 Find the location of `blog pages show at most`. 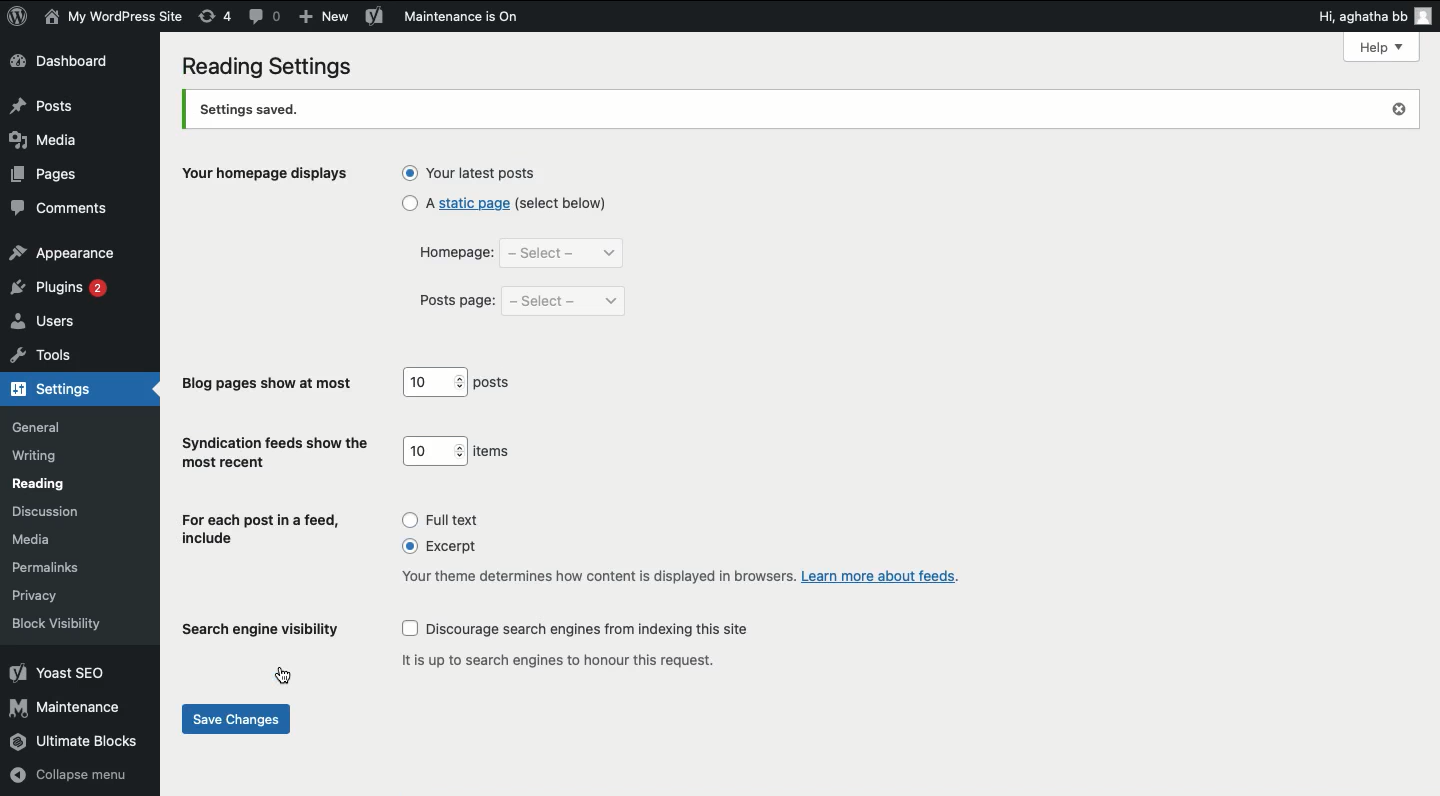

blog pages show at most is located at coordinates (267, 386).